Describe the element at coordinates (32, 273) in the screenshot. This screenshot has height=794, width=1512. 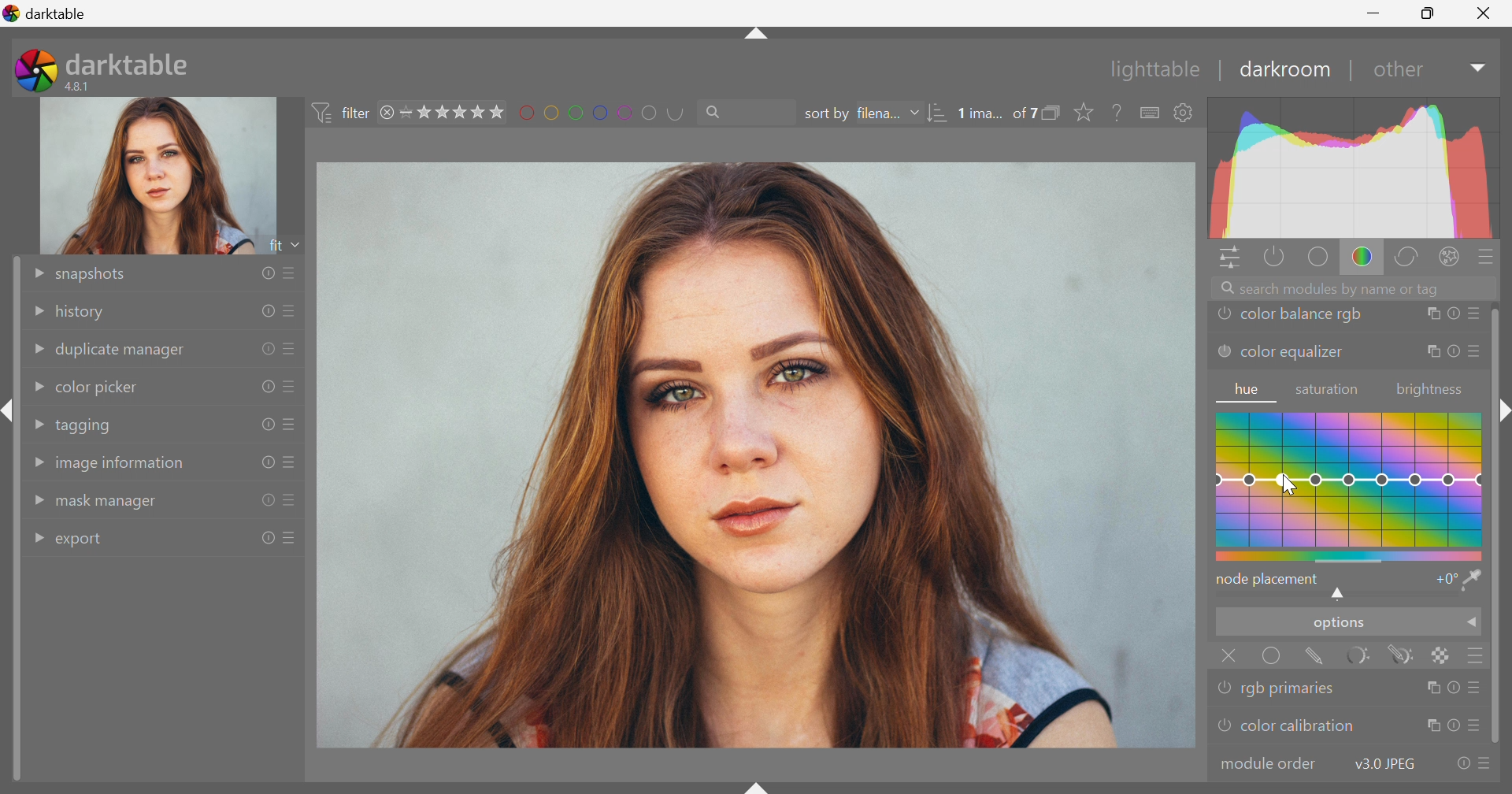
I see `Drop Down` at that location.